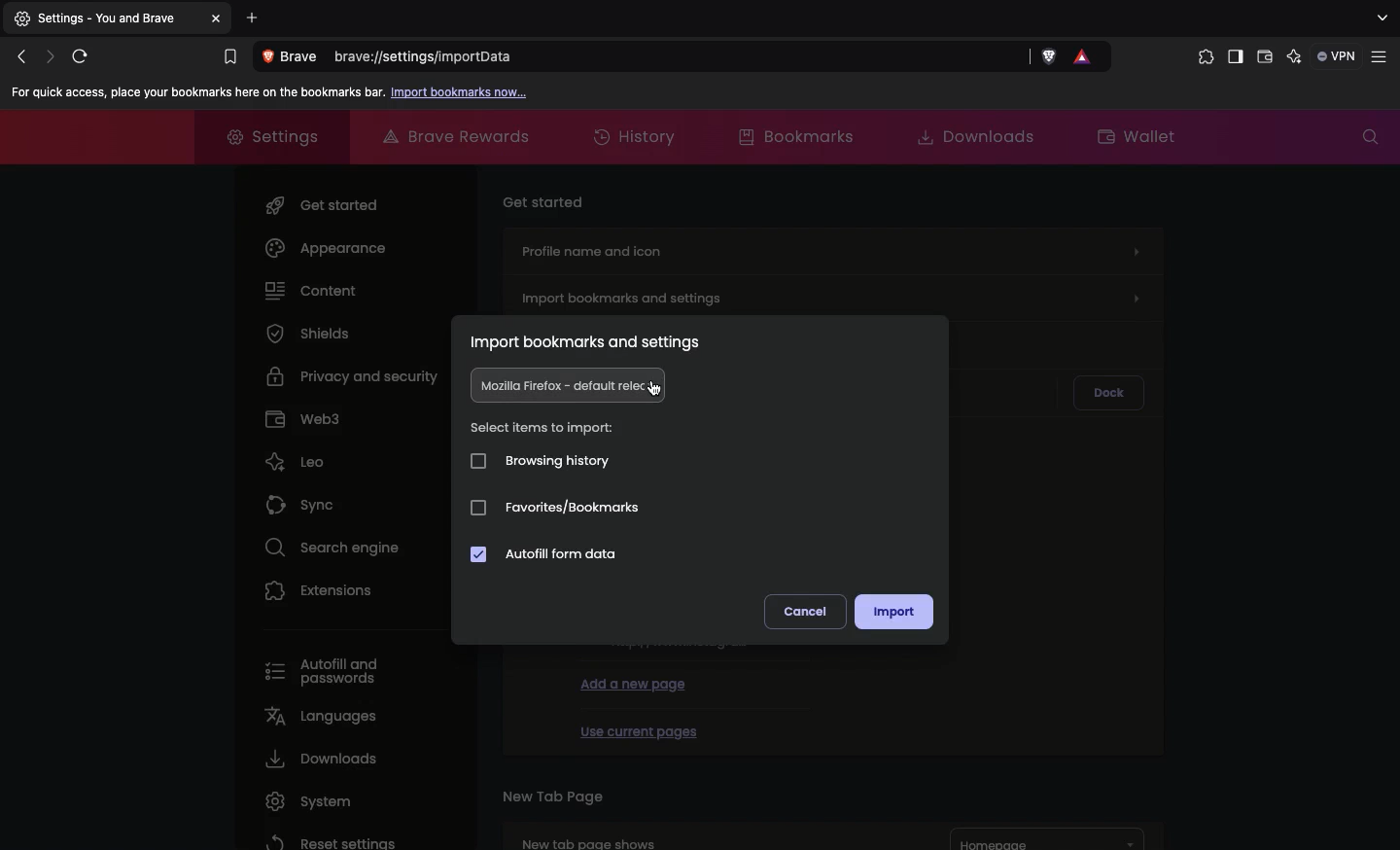  I want to click on VPN, so click(1338, 55).